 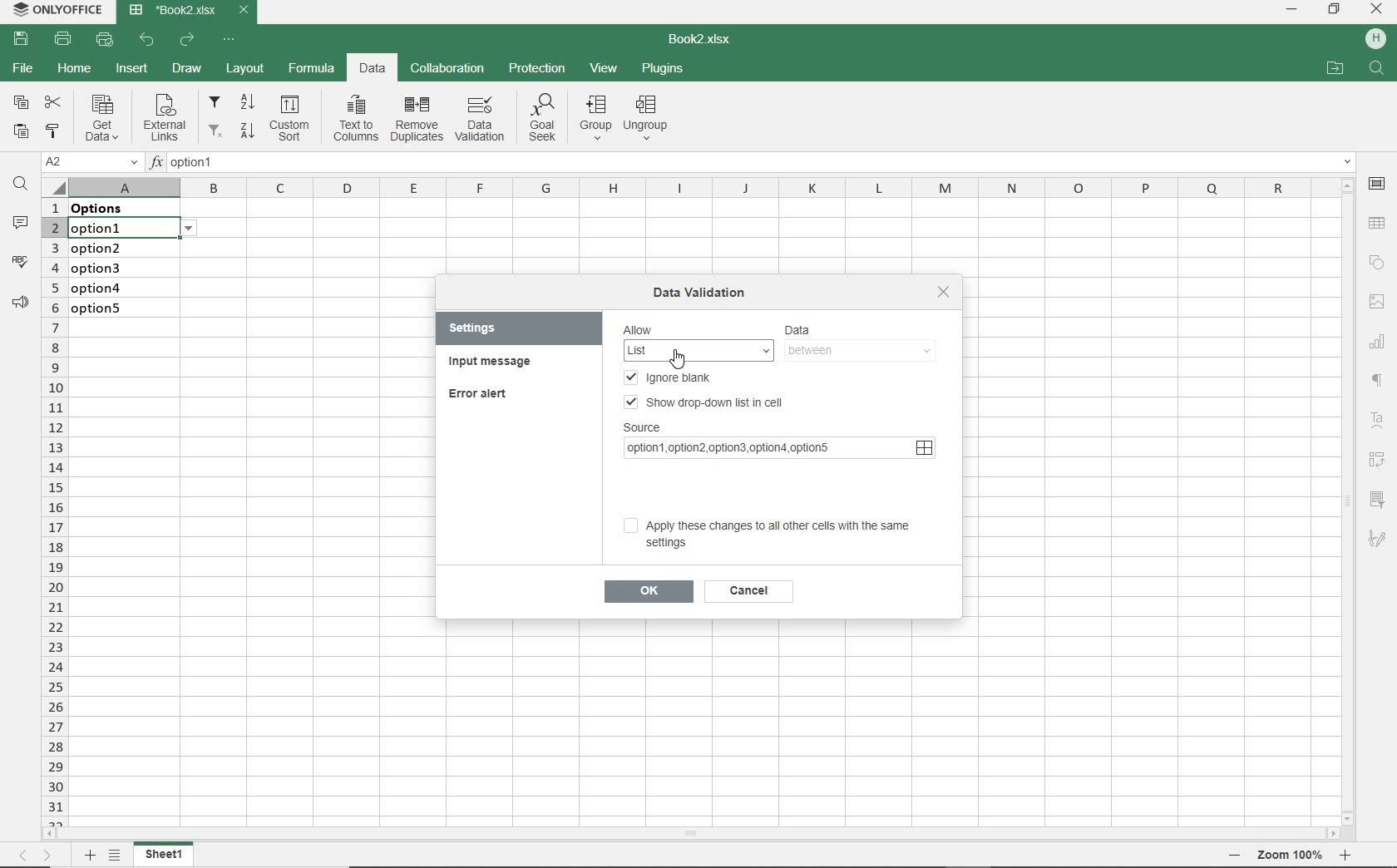 What do you see at coordinates (292, 118) in the screenshot?
I see `Custom sort` at bounding box center [292, 118].